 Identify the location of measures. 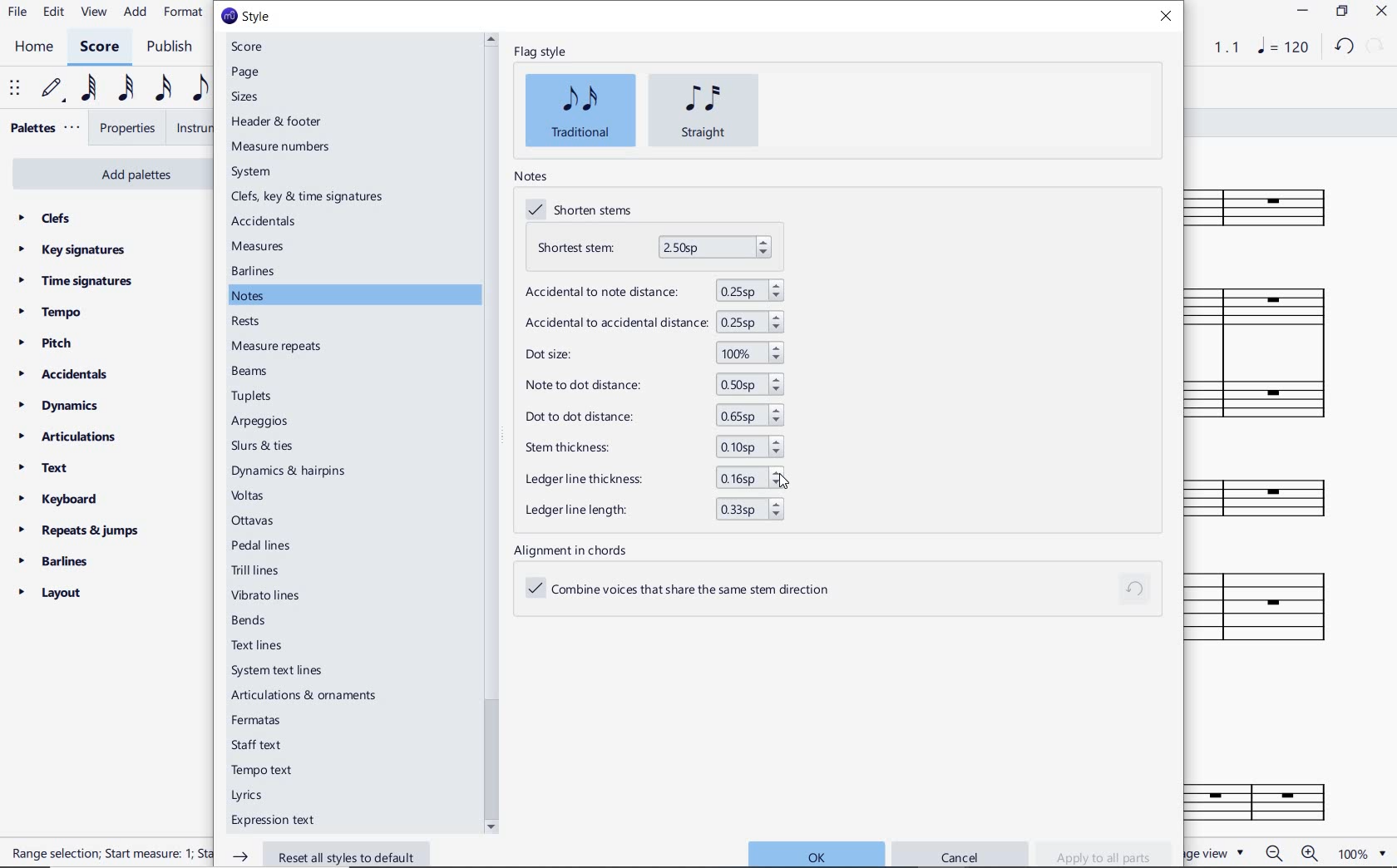
(259, 246).